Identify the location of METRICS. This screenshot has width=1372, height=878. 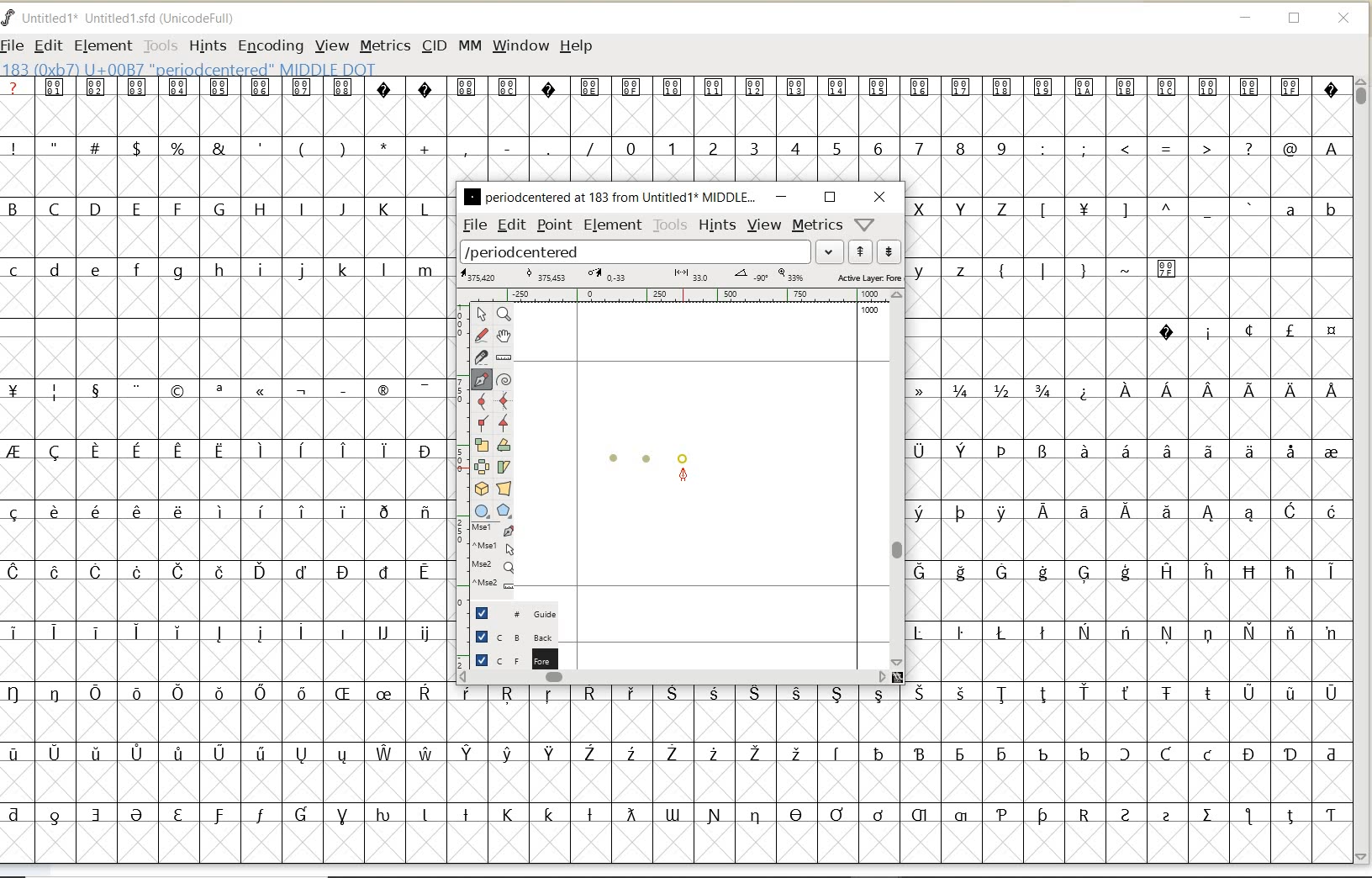
(384, 47).